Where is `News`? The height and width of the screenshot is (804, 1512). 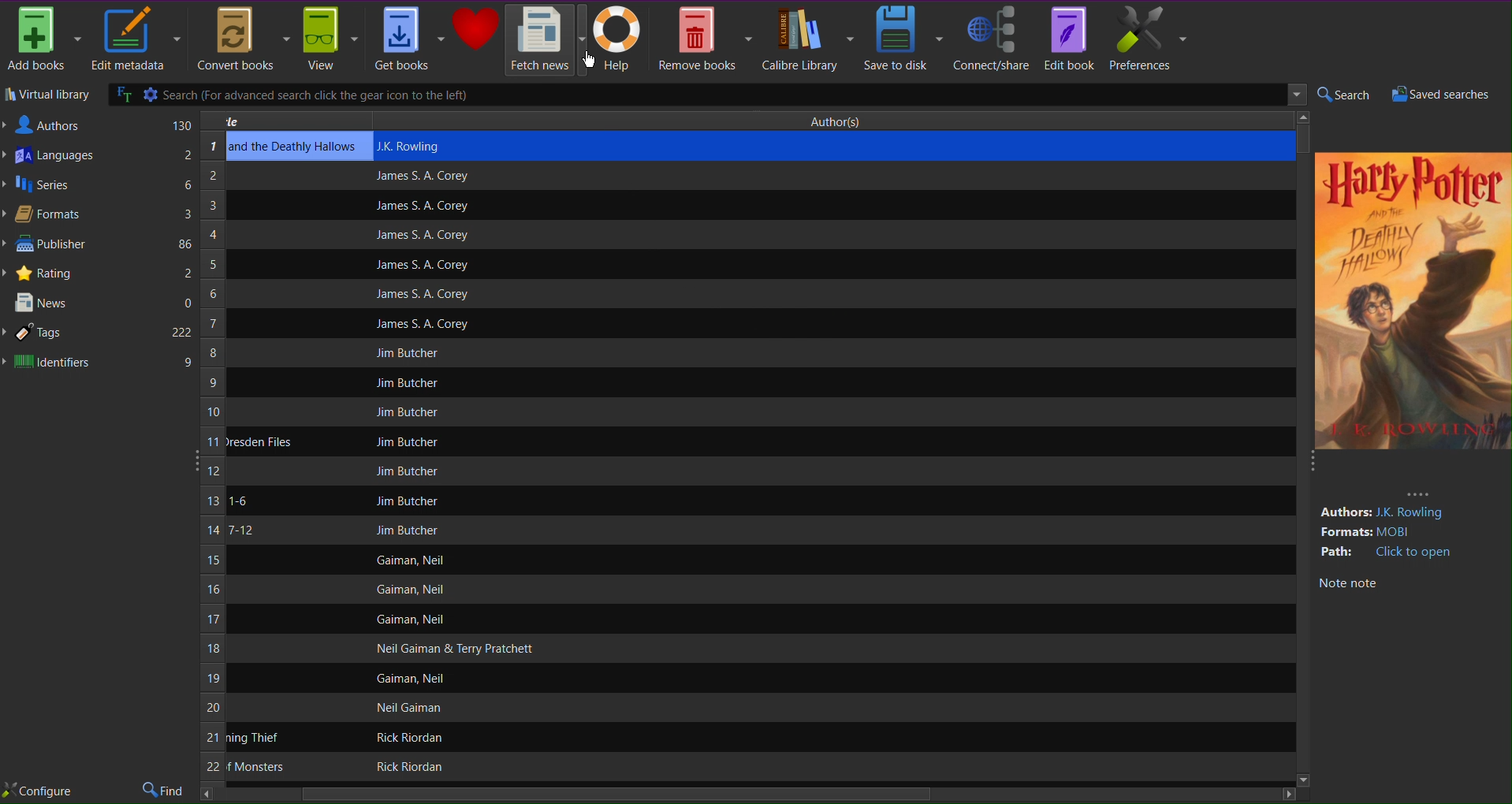 News is located at coordinates (99, 304).